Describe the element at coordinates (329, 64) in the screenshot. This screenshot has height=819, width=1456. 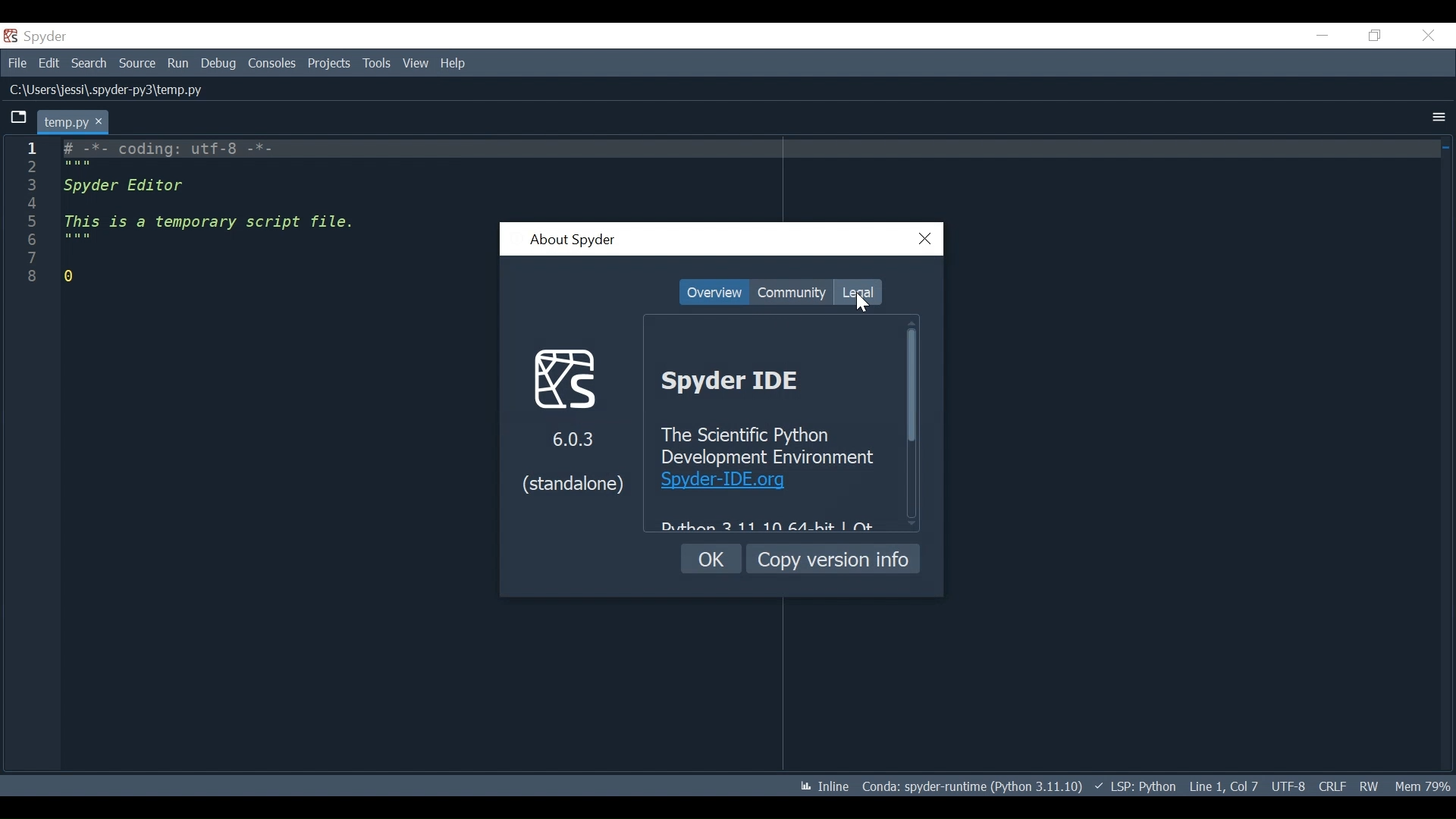
I see `Projects` at that location.